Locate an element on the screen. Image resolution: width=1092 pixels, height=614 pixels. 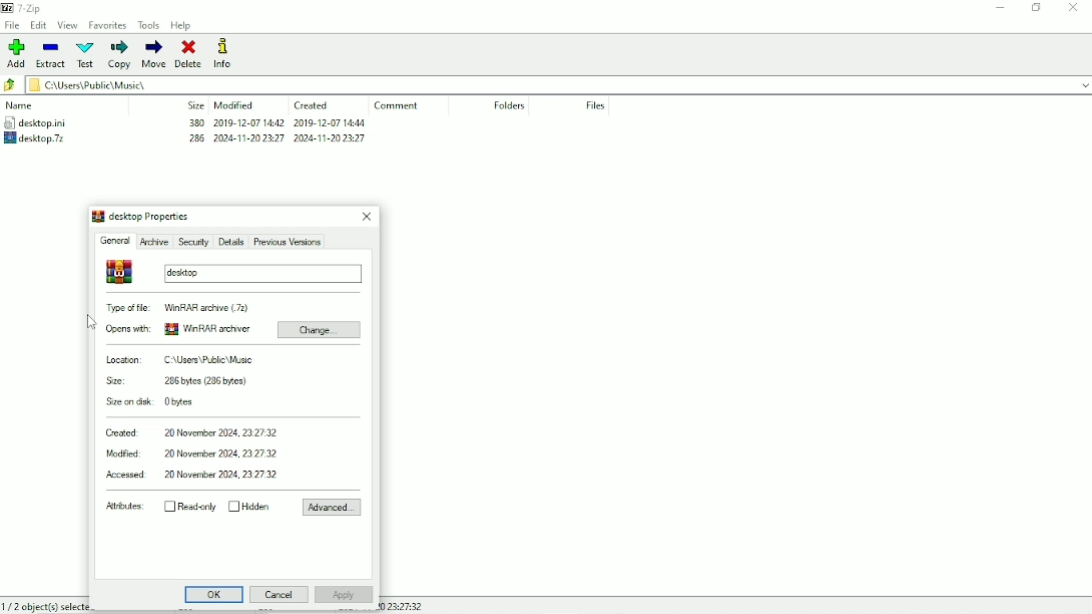
Created date and time is located at coordinates (192, 433).